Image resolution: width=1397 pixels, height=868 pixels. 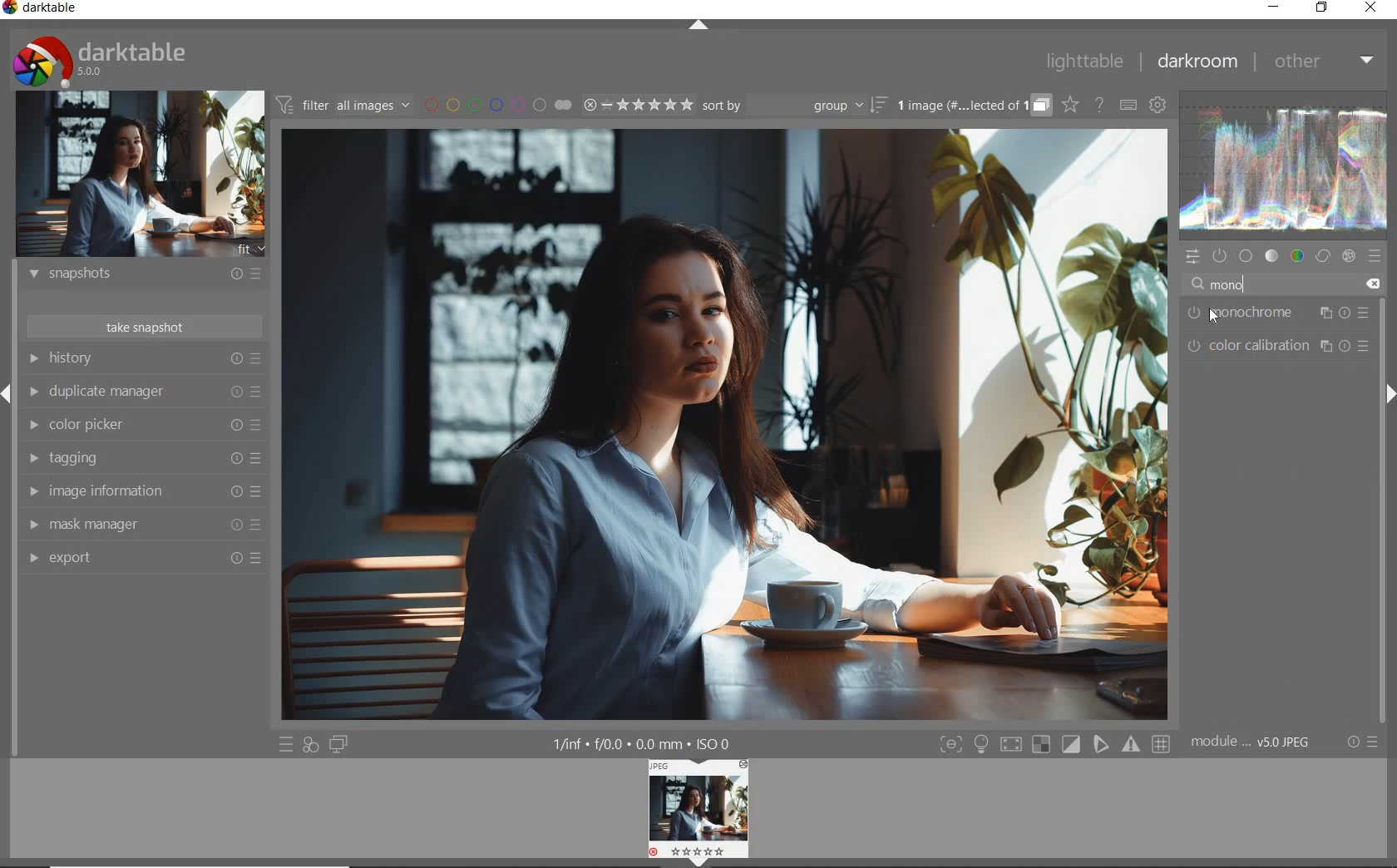 I want to click on selected image, so click(x=727, y=426).